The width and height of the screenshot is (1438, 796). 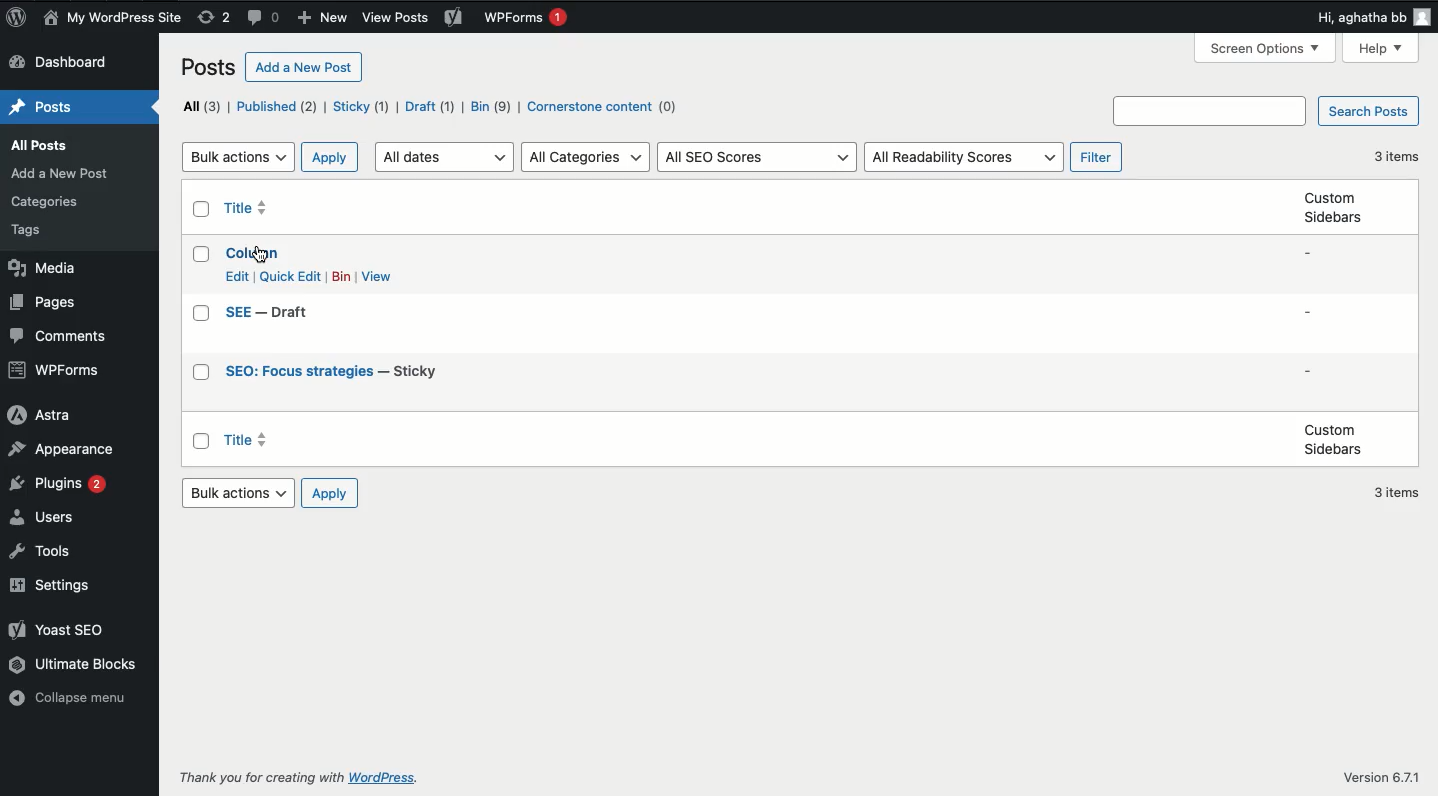 I want to click on Collapse menu, so click(x=71, y=698).